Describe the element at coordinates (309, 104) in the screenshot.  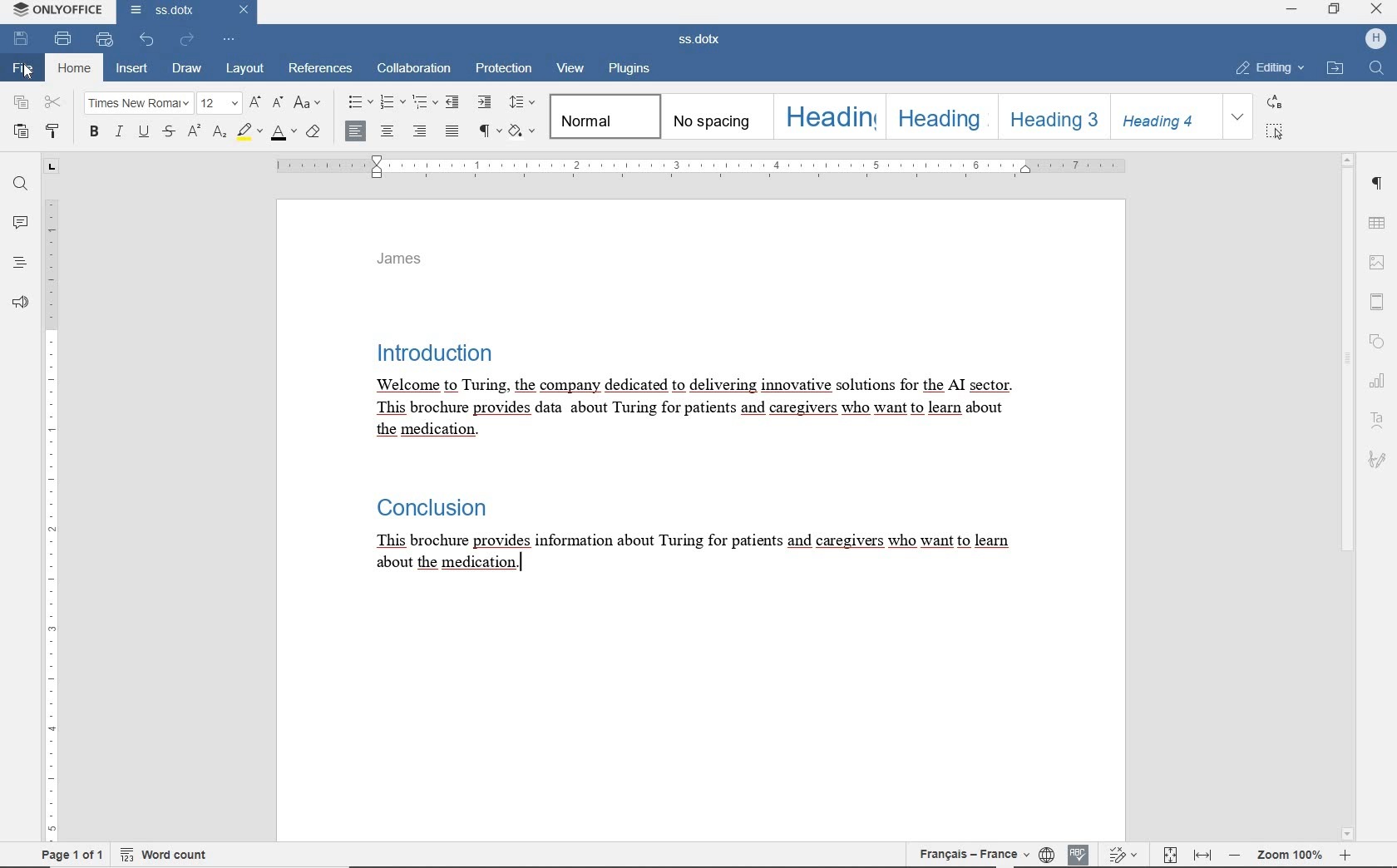
I see `CHANGE CASE` at that location.